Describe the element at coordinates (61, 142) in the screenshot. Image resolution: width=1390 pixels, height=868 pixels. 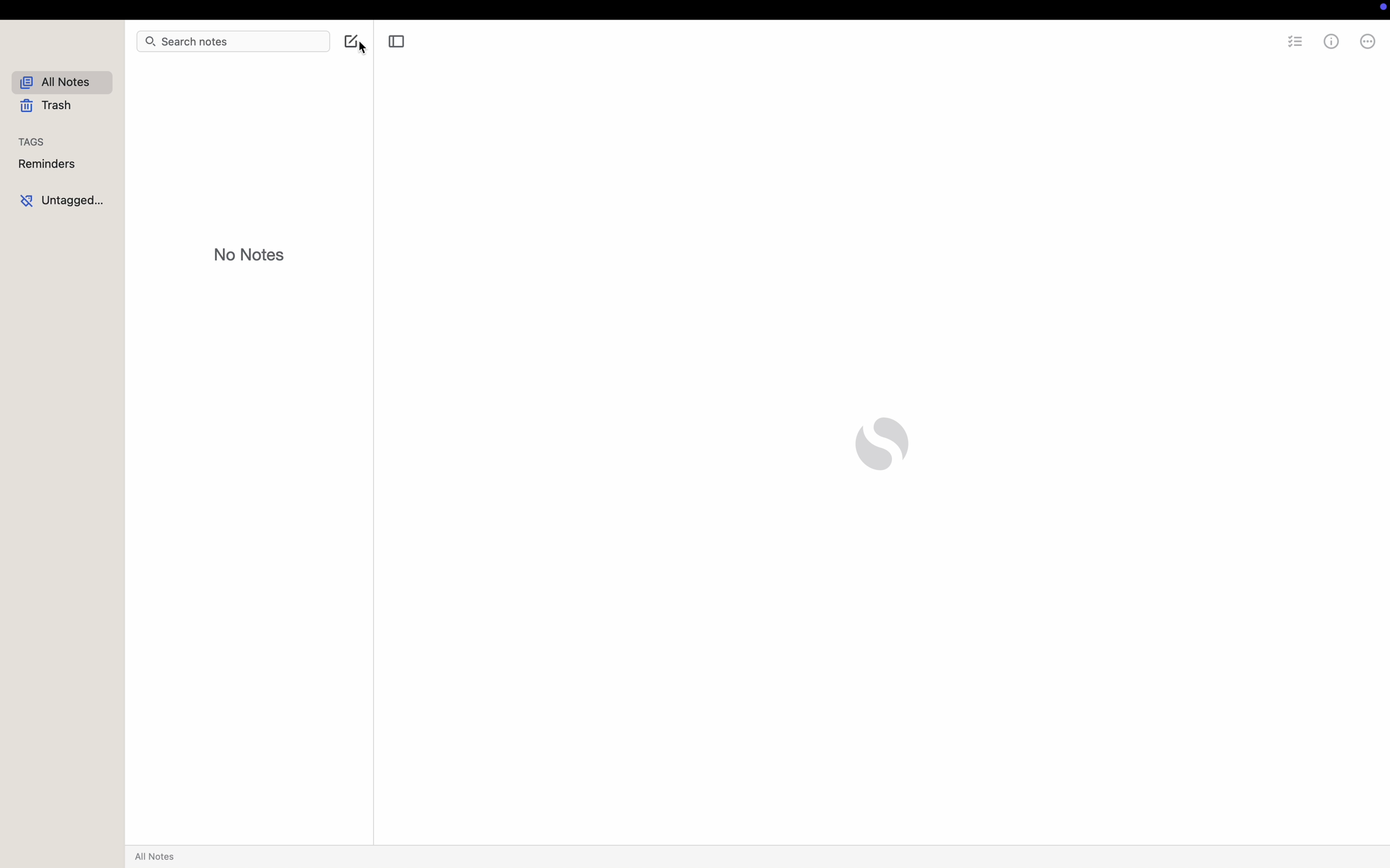
I see `tags` at that location.